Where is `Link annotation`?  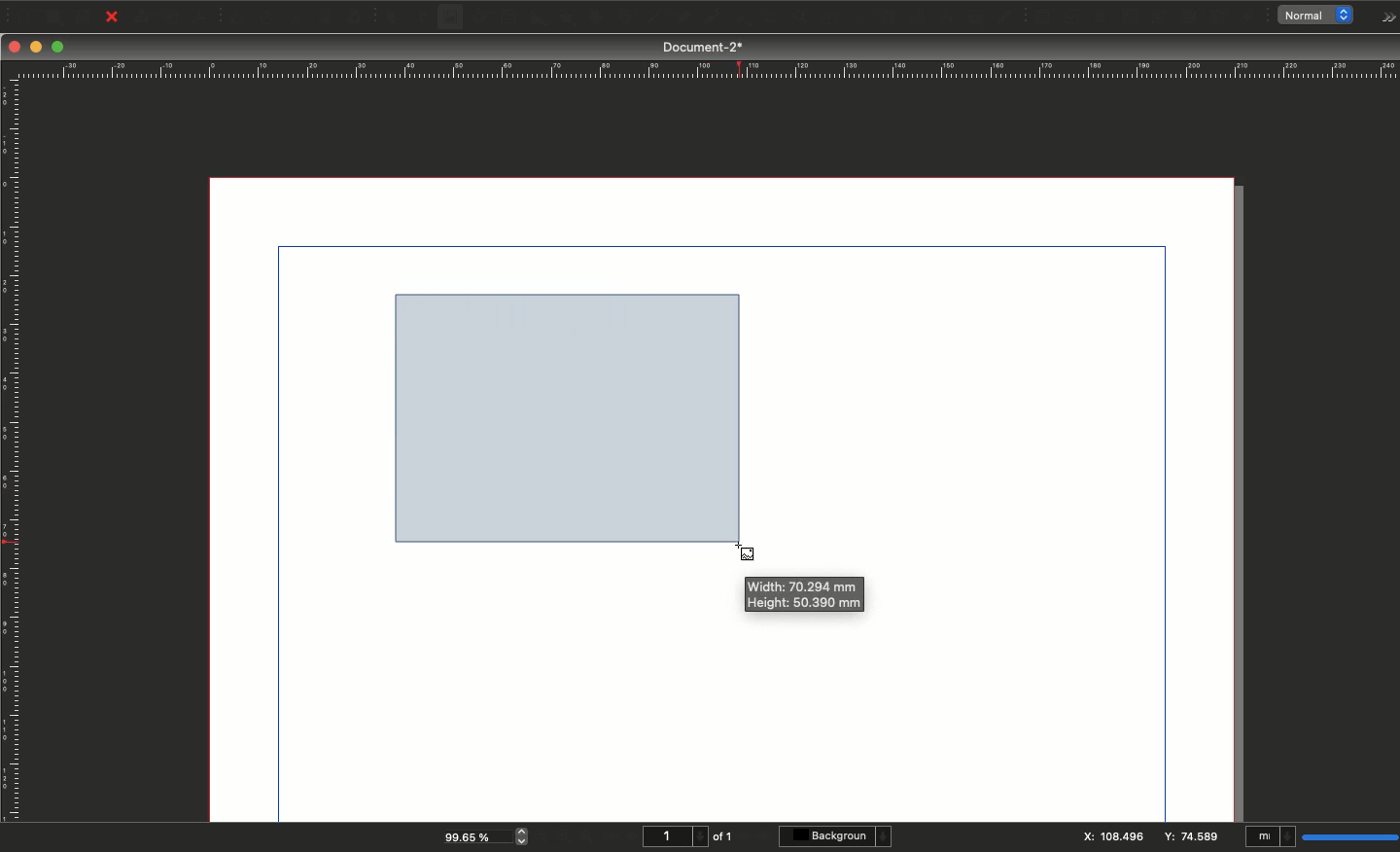 Link annotation is located at coordinates (1250, 18).